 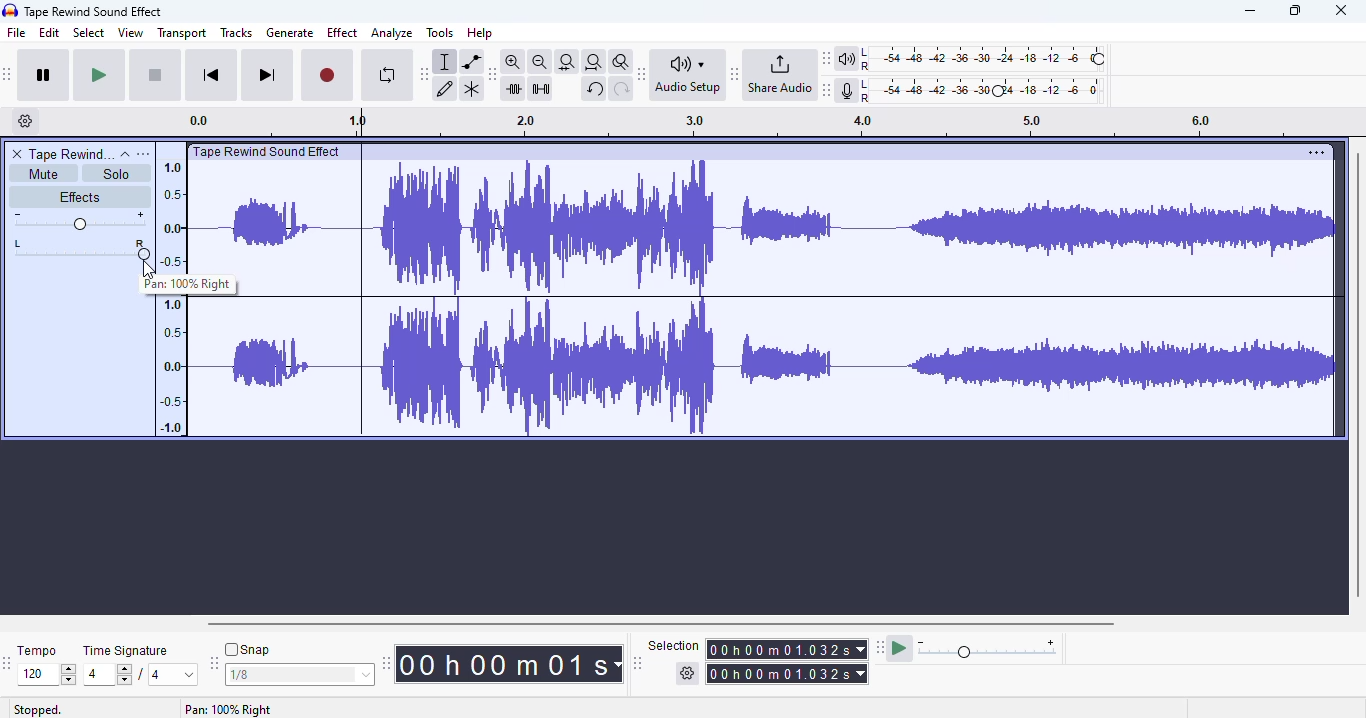 I want to click on timeline options, so click(x=26, y=120).